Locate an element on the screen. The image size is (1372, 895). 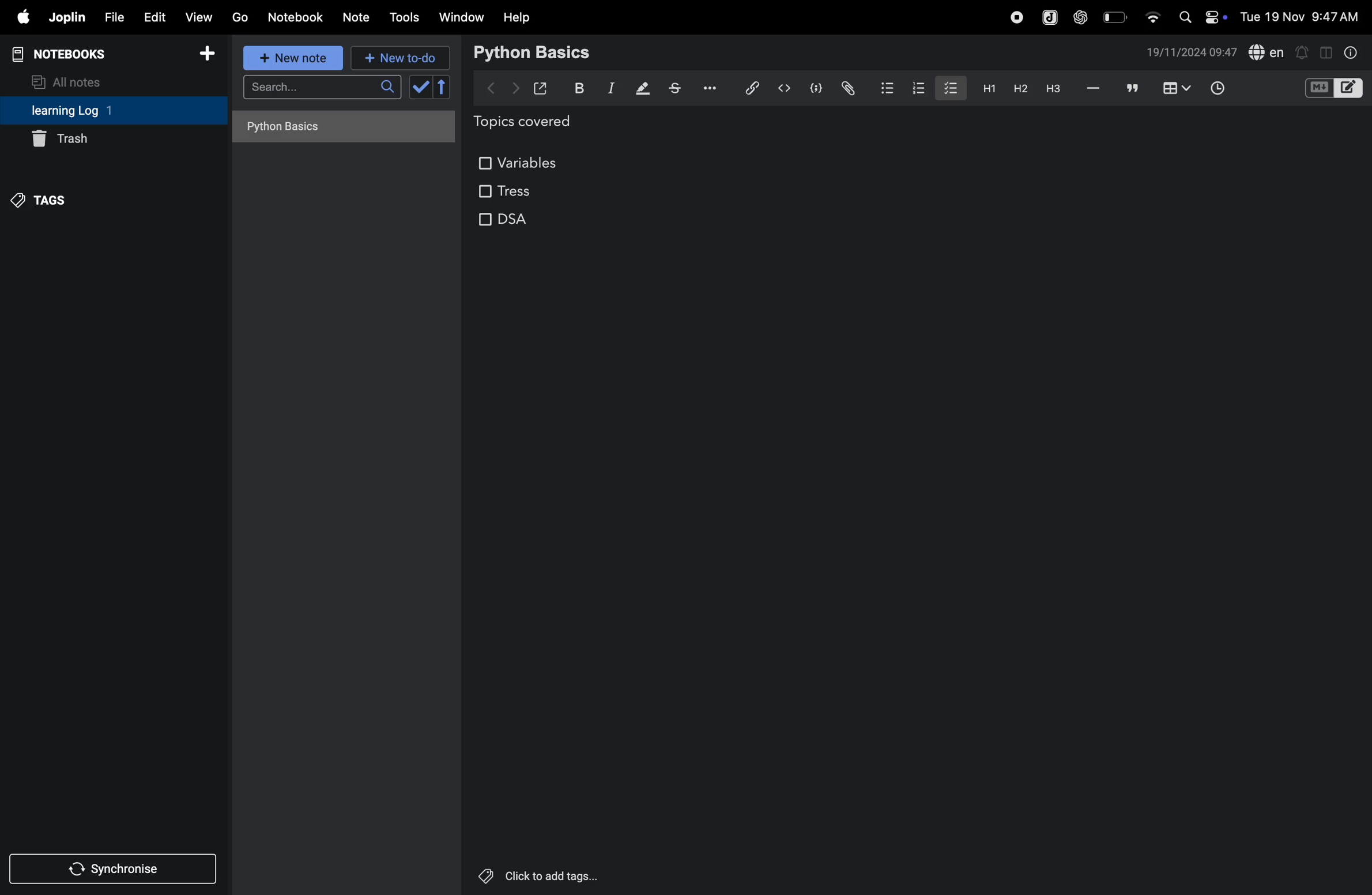
tress is located at coordinates (504, 191).